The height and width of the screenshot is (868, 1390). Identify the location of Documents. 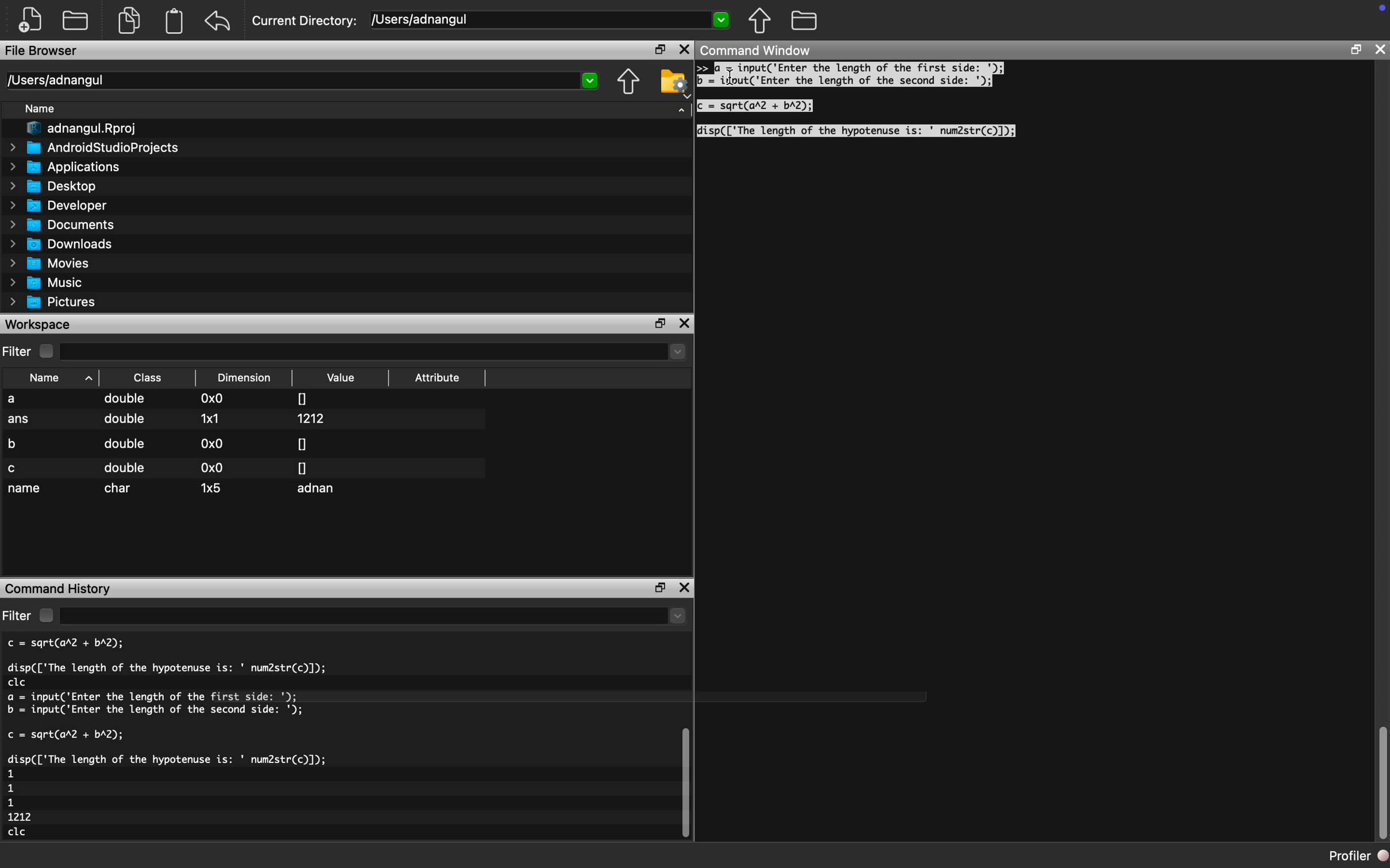
(65, 224).